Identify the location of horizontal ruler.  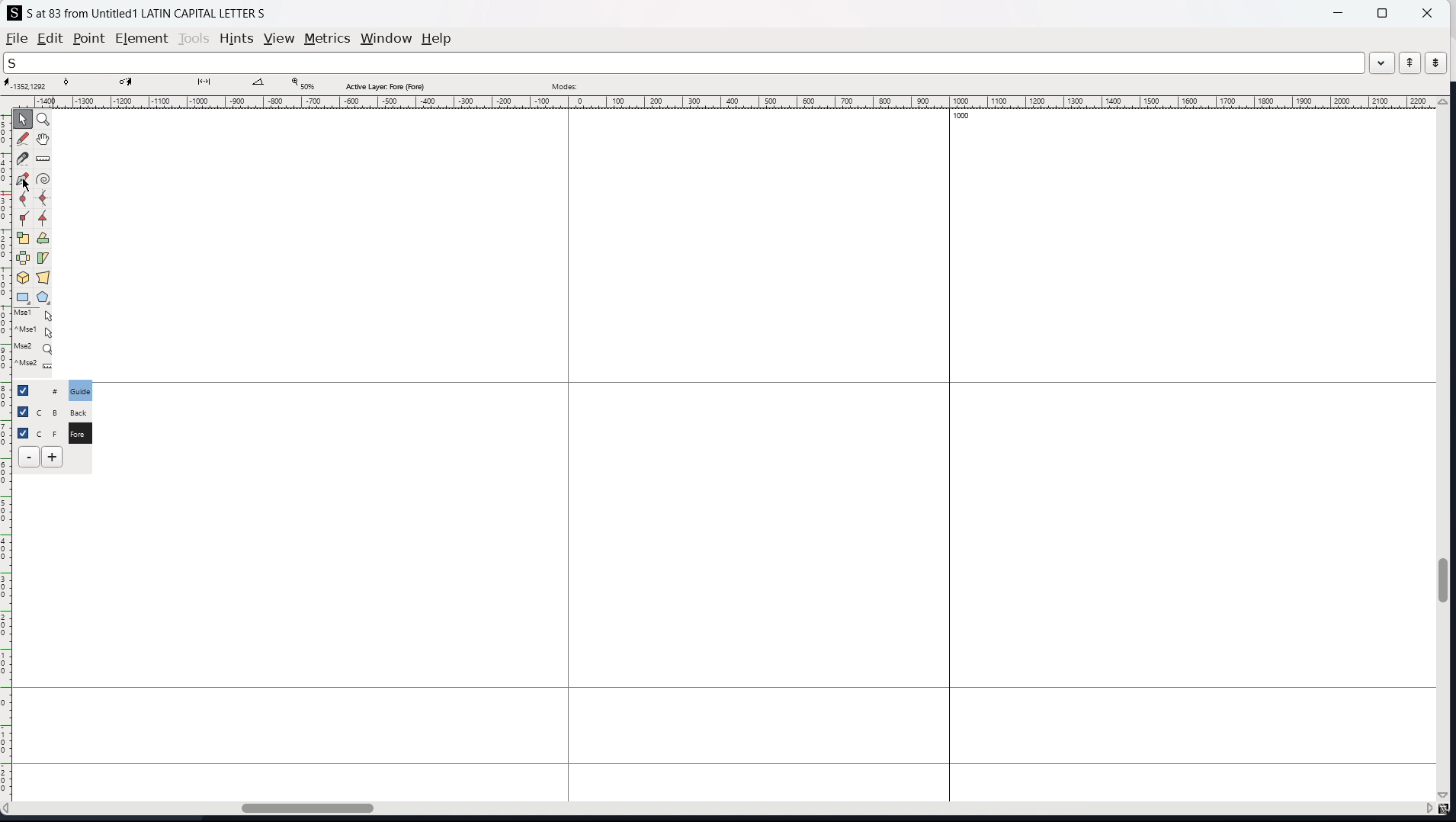
(720, 102).